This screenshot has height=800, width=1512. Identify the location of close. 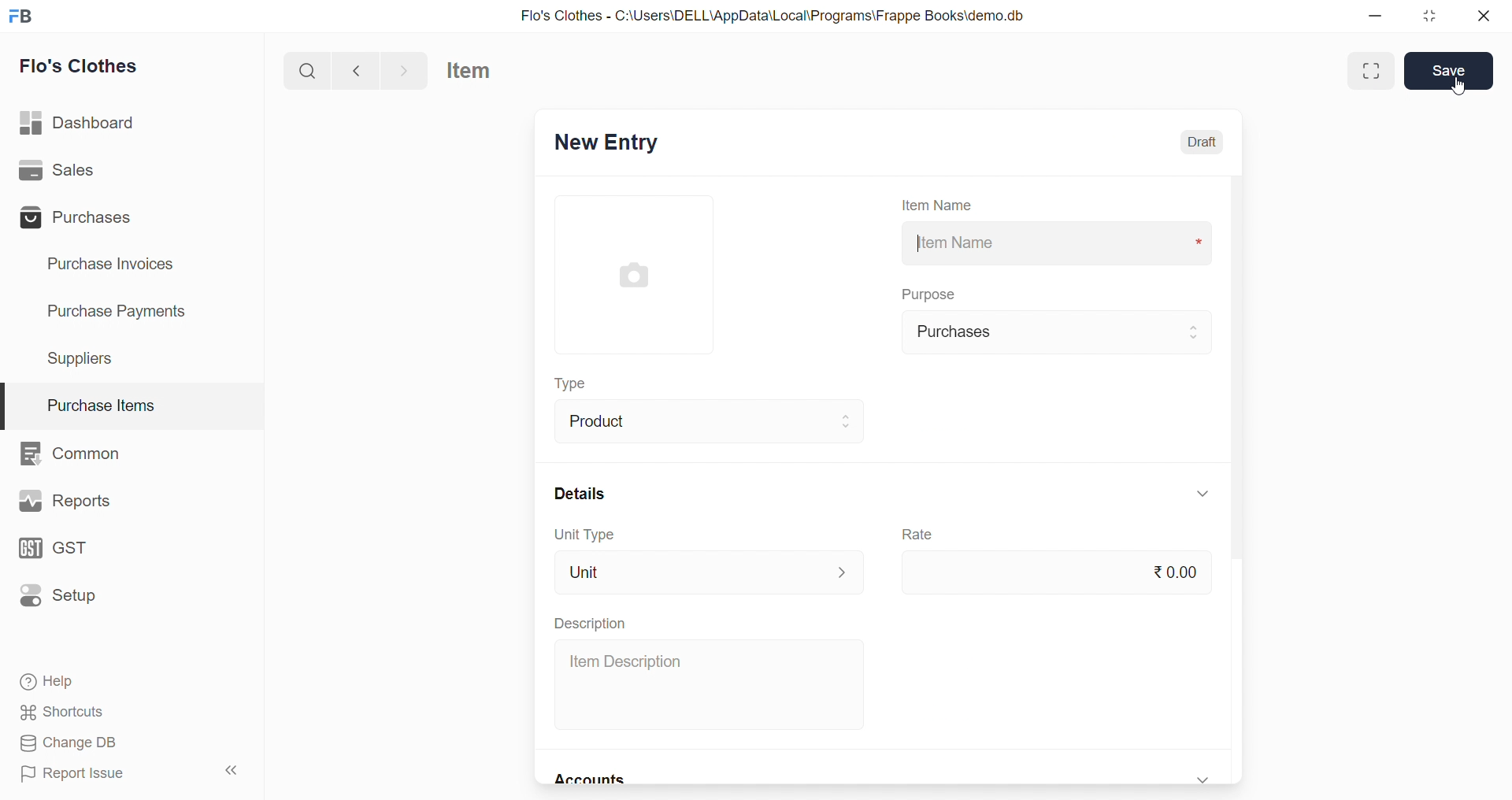
(1478, 16).